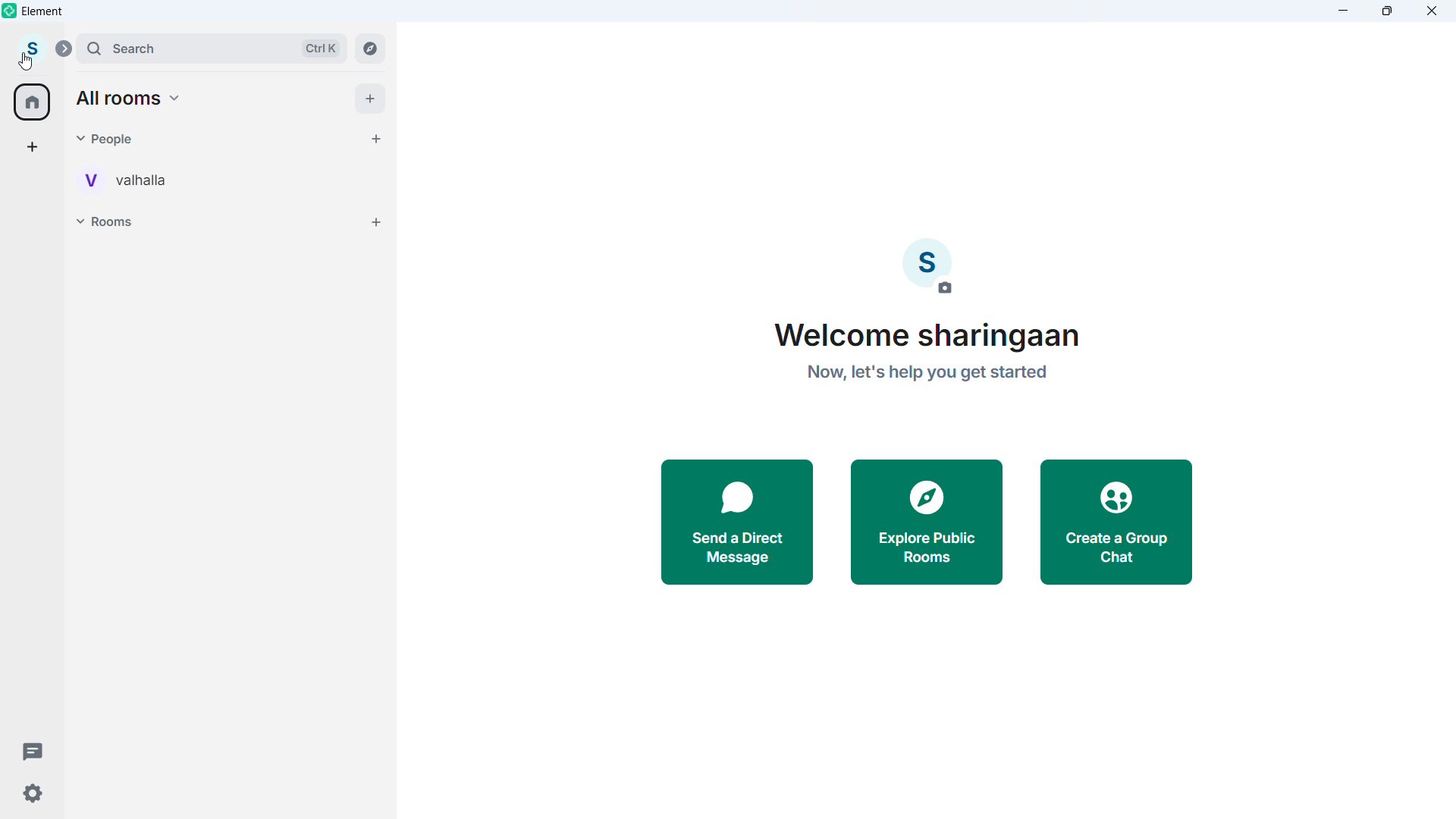 This screenshot has width=1456, height=819. What do you see at coordinates (924, 337) in the screenshot?
I see `Welcome sharingaan` at bounding box center [924, 337].